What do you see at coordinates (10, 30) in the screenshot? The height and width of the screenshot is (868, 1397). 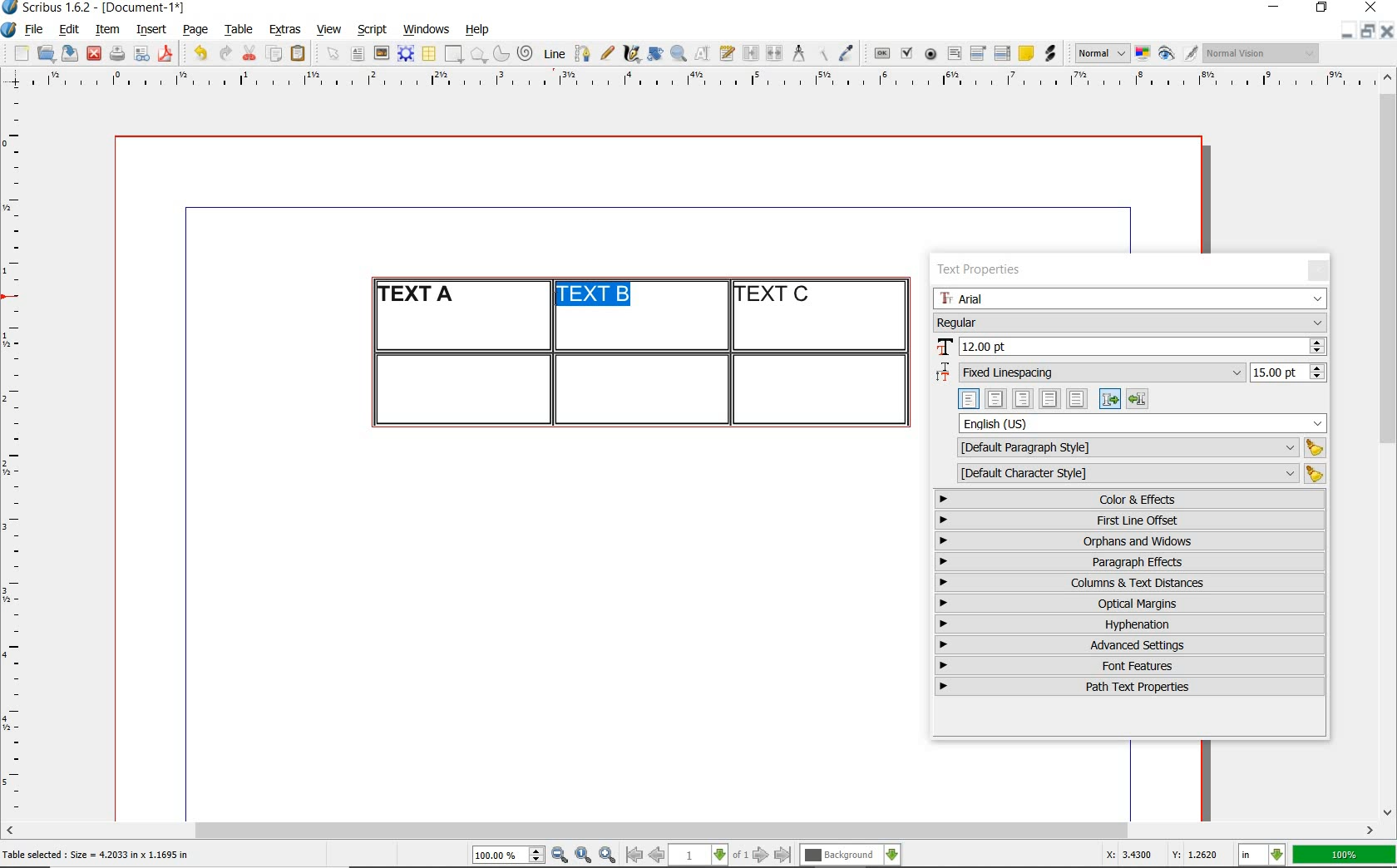 I see `system logo` at bounding box center [10, 30].